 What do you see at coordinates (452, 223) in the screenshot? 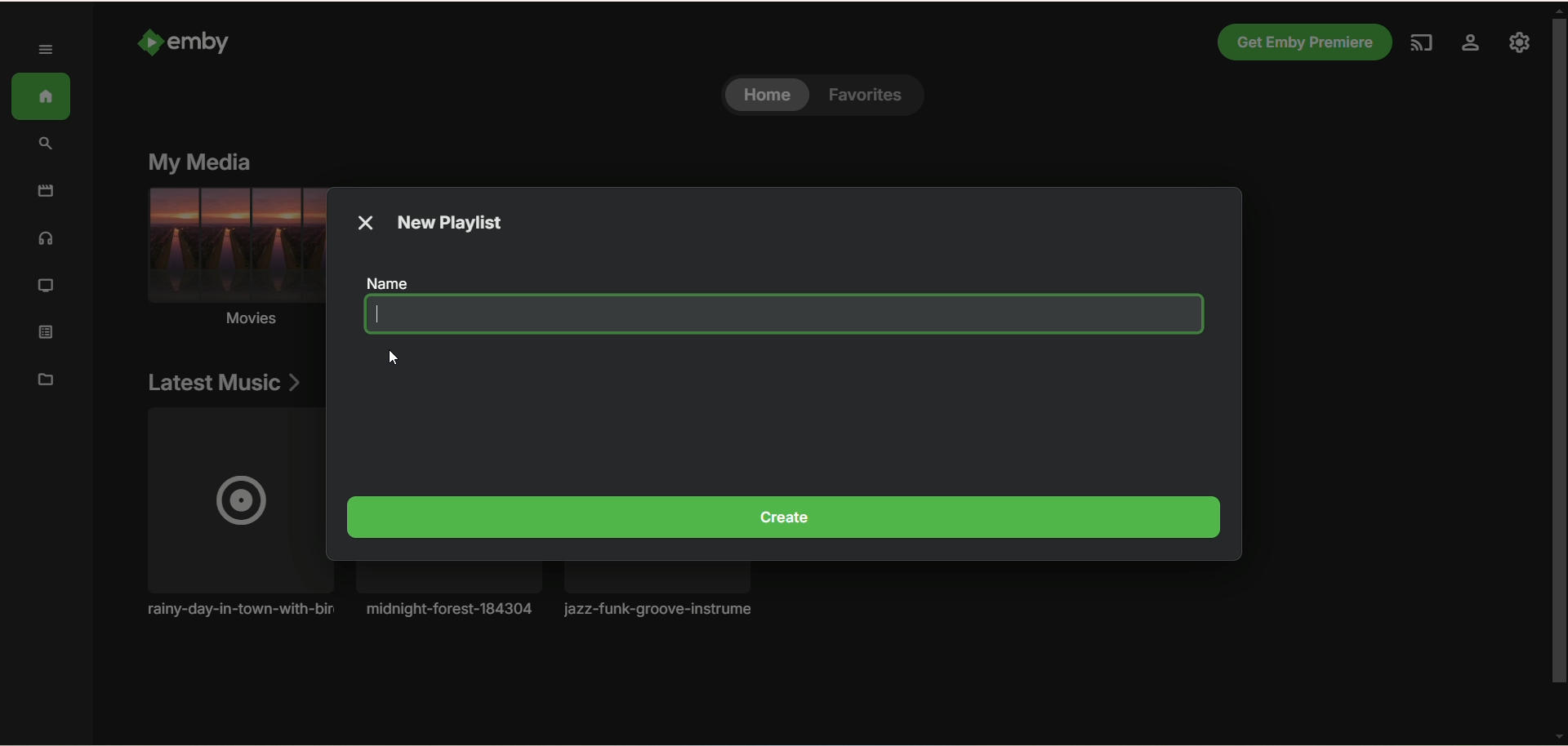
I see `new playlist` at bounding box center [452, 223].